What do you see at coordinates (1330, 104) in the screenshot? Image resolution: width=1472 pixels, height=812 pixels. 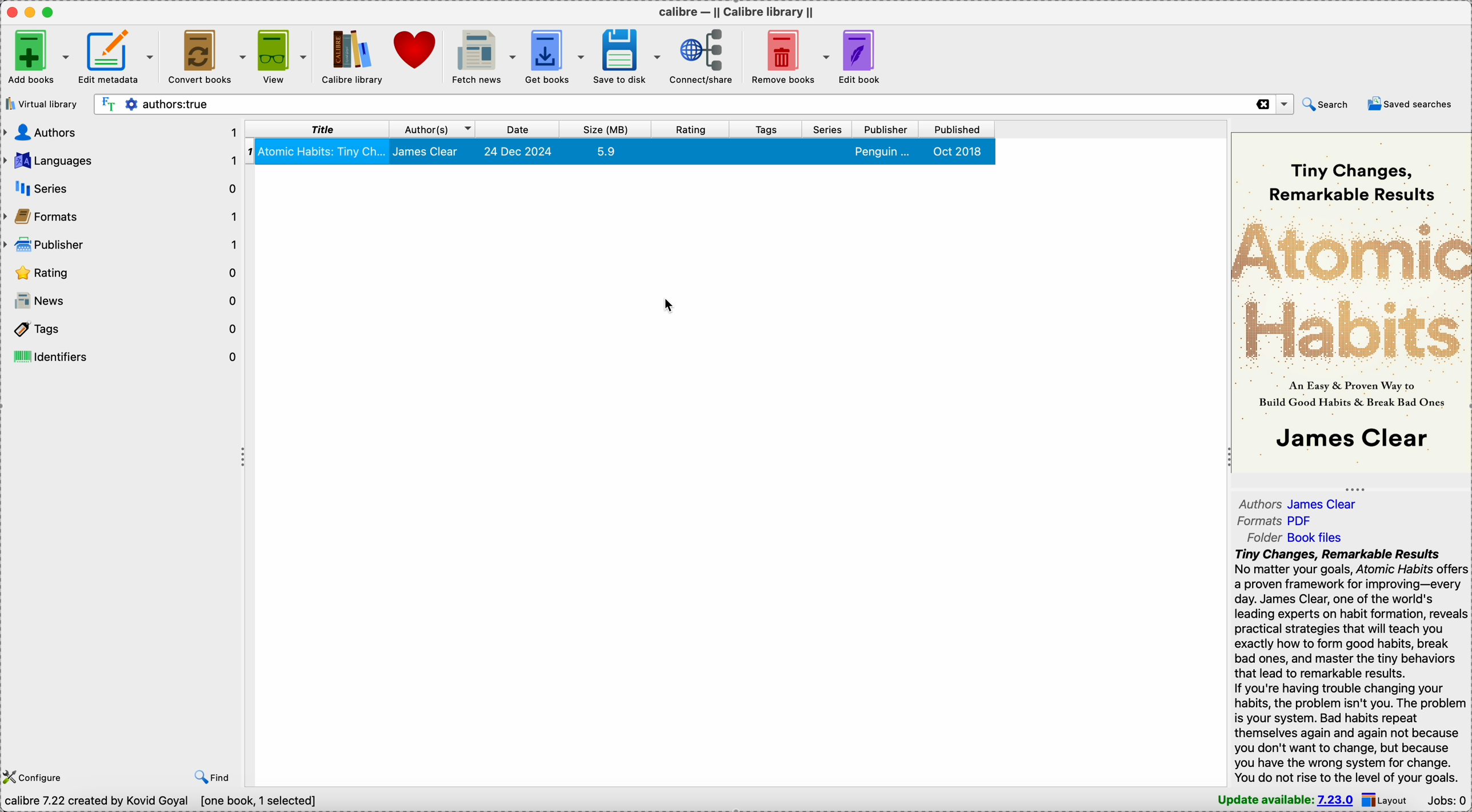 I see `search` at bounding box center [1330, 104].